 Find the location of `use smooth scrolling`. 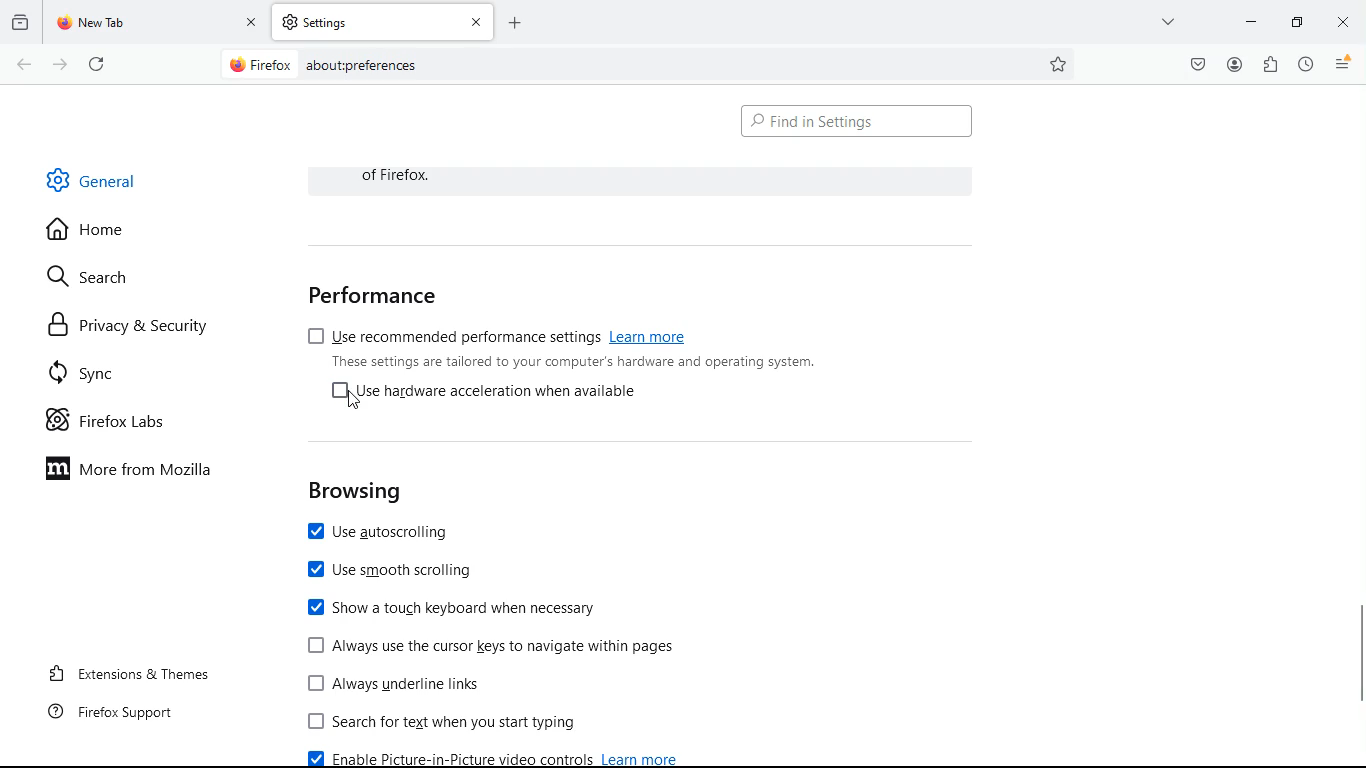

use smooth scrolling is located at coordinates (394, 568).